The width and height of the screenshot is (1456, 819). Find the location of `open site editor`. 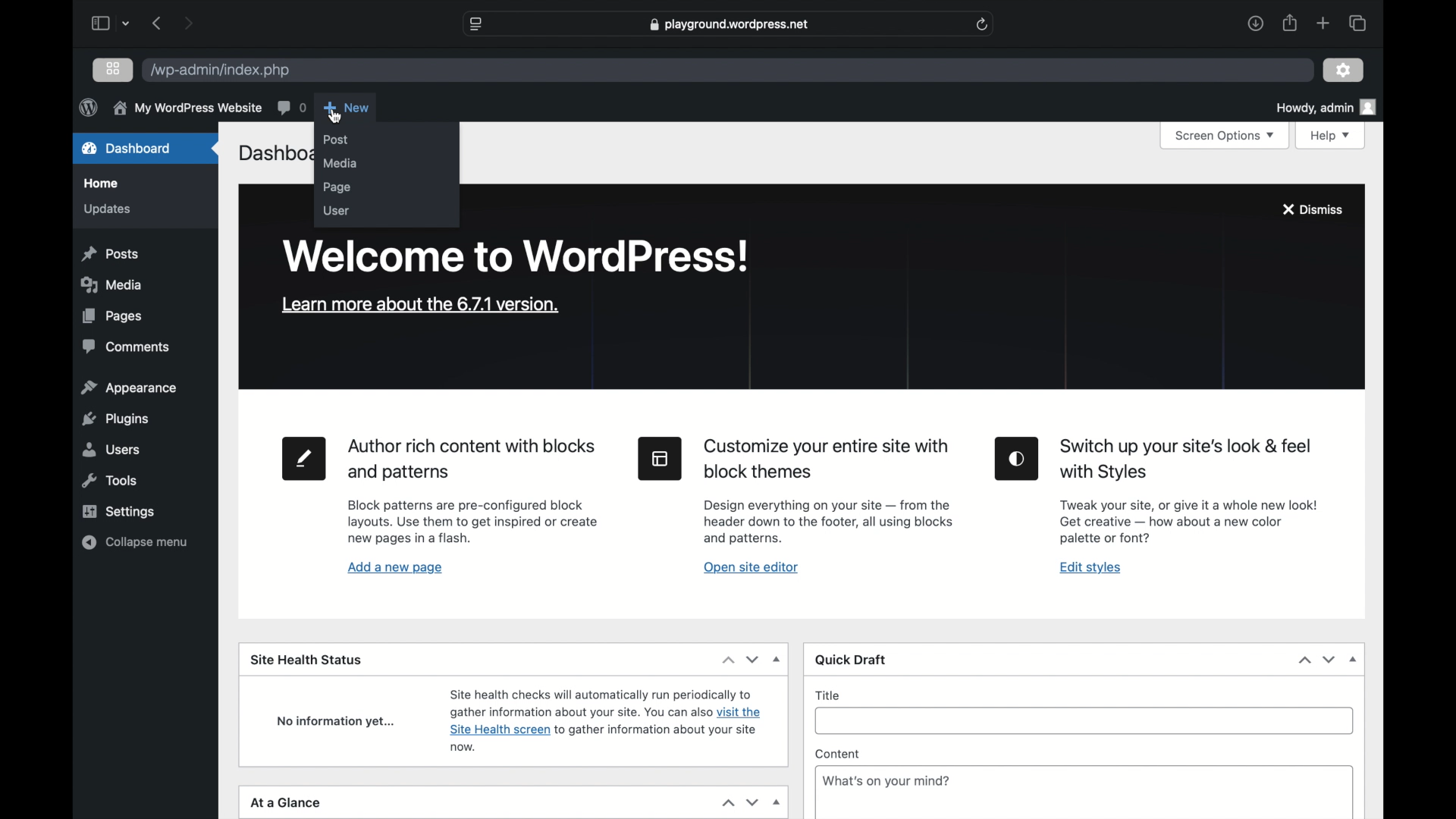

open site editor is located at coordinates (752, 568).